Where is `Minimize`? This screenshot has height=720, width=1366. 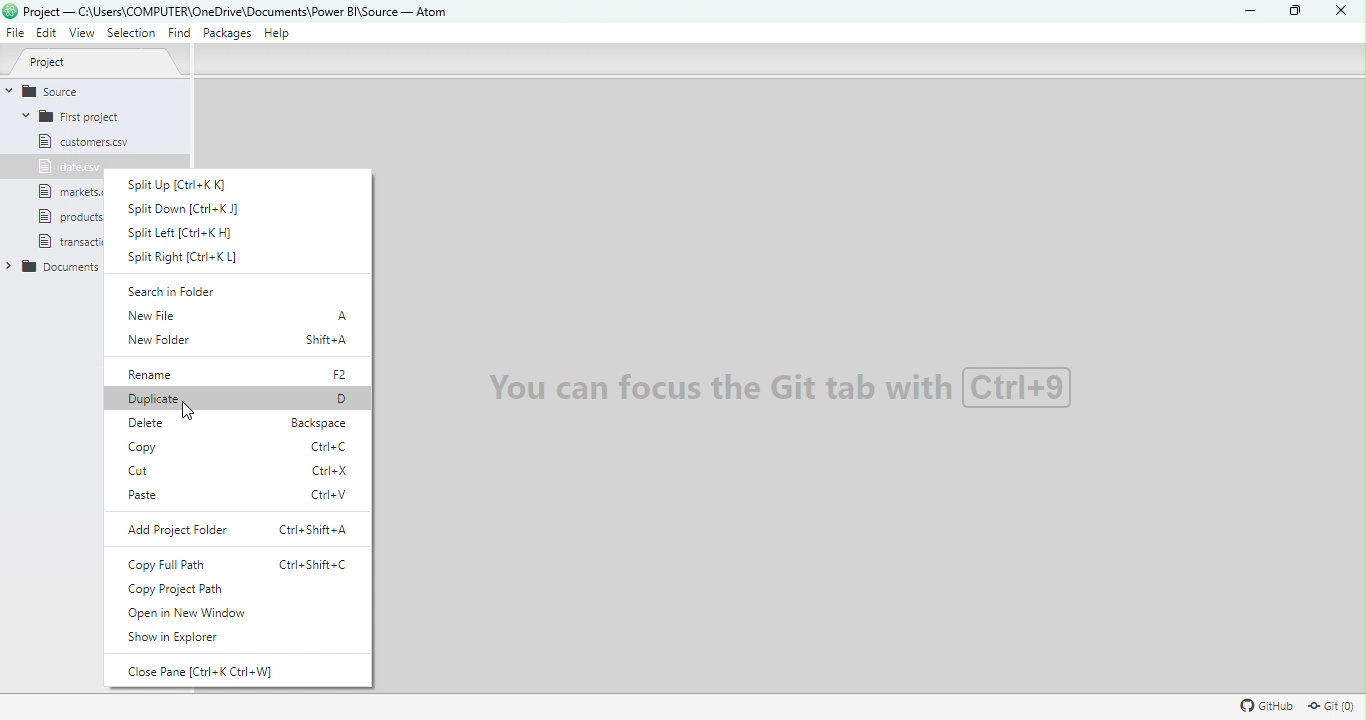
Minimize is located at coordinates (1247, 12).